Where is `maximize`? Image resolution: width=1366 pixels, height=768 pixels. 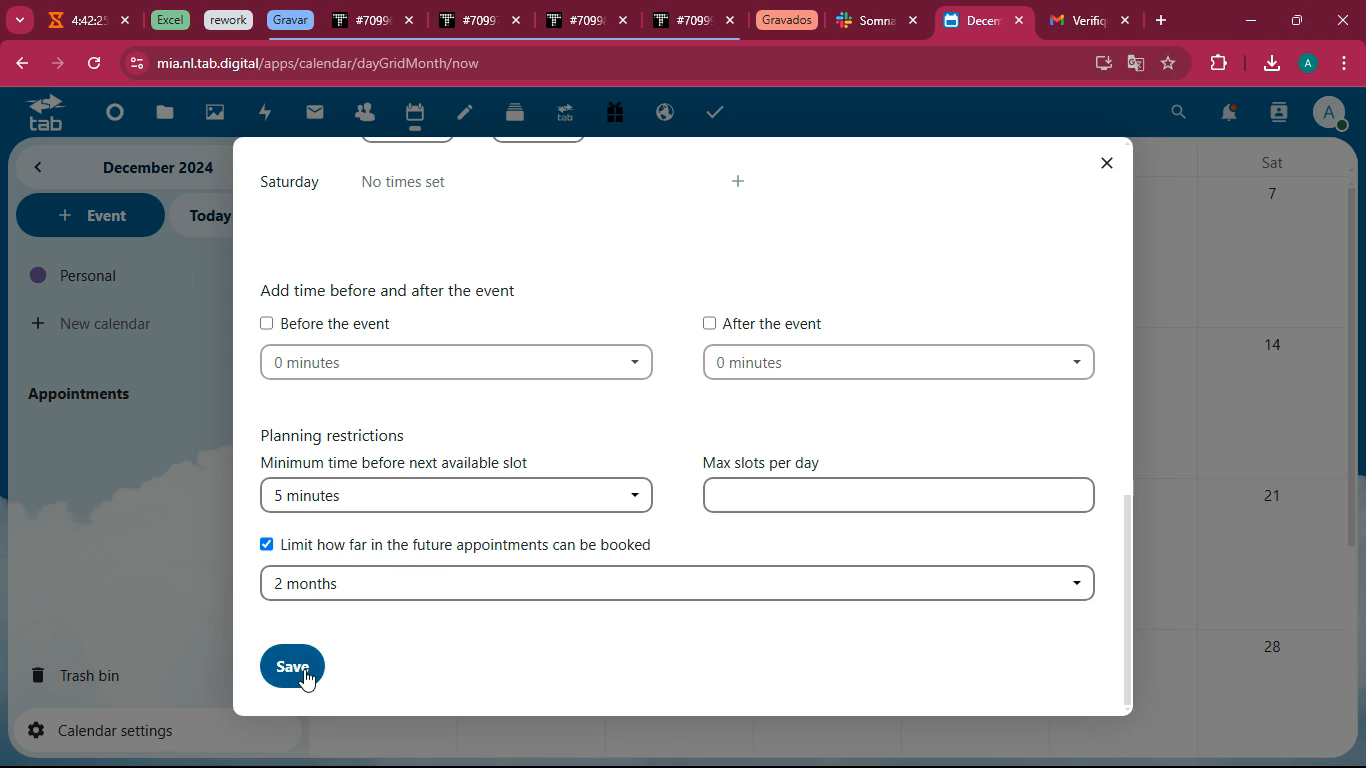
maximize is located at coordinates (1295, 18).